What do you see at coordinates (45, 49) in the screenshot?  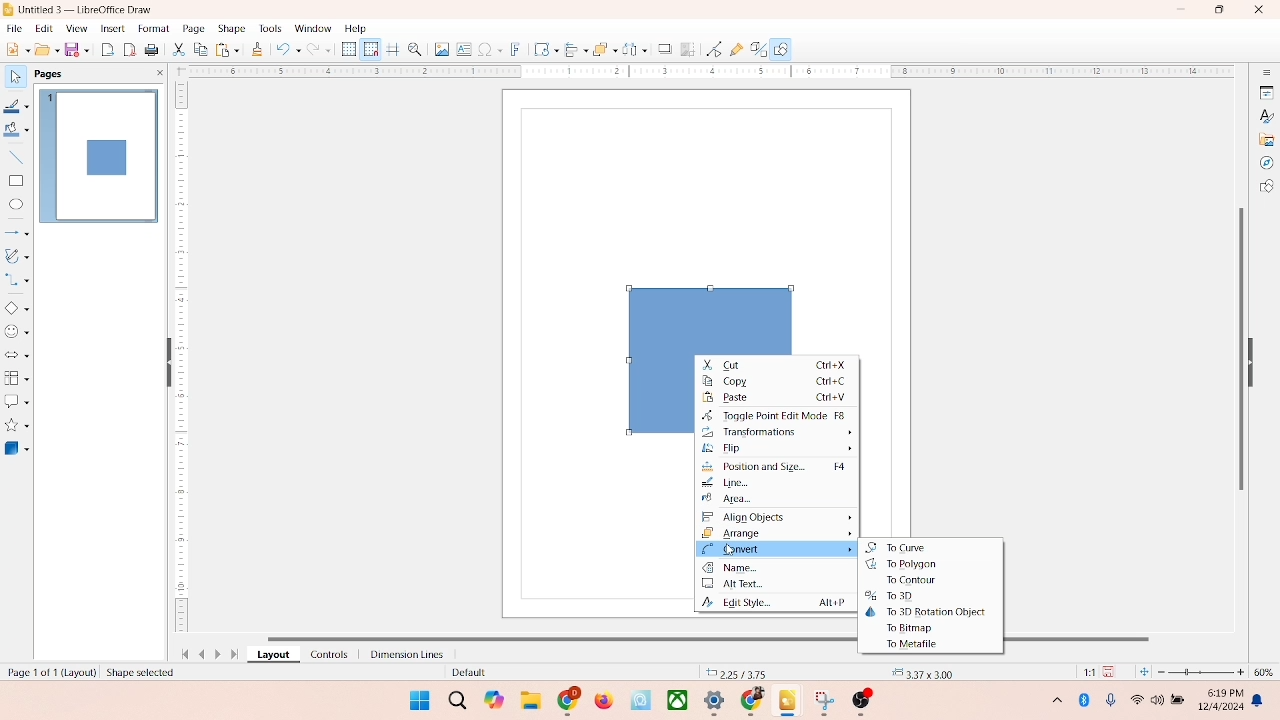 I see `open` at bounding box center [45, 49].